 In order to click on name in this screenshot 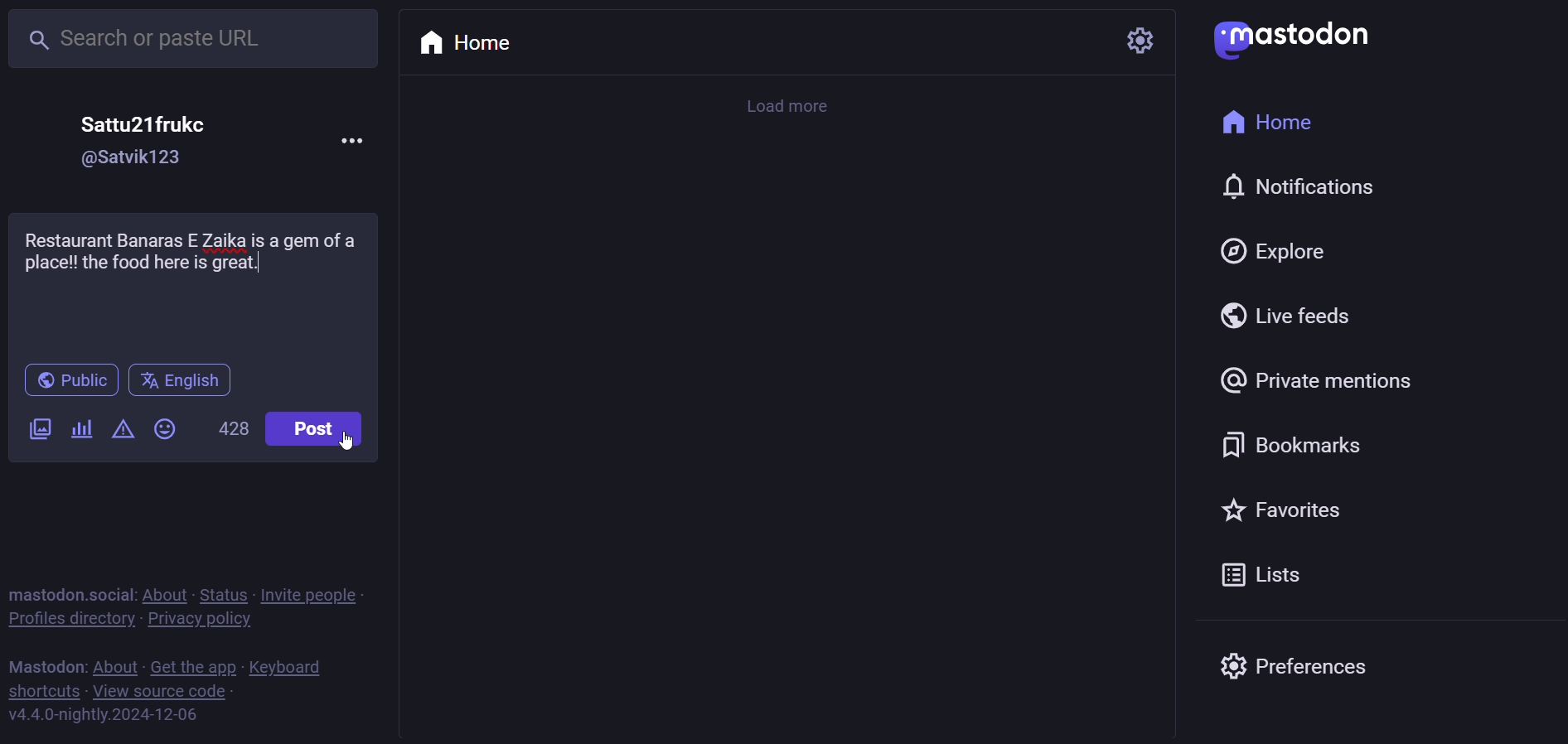, I will do `click(144, 123)`.